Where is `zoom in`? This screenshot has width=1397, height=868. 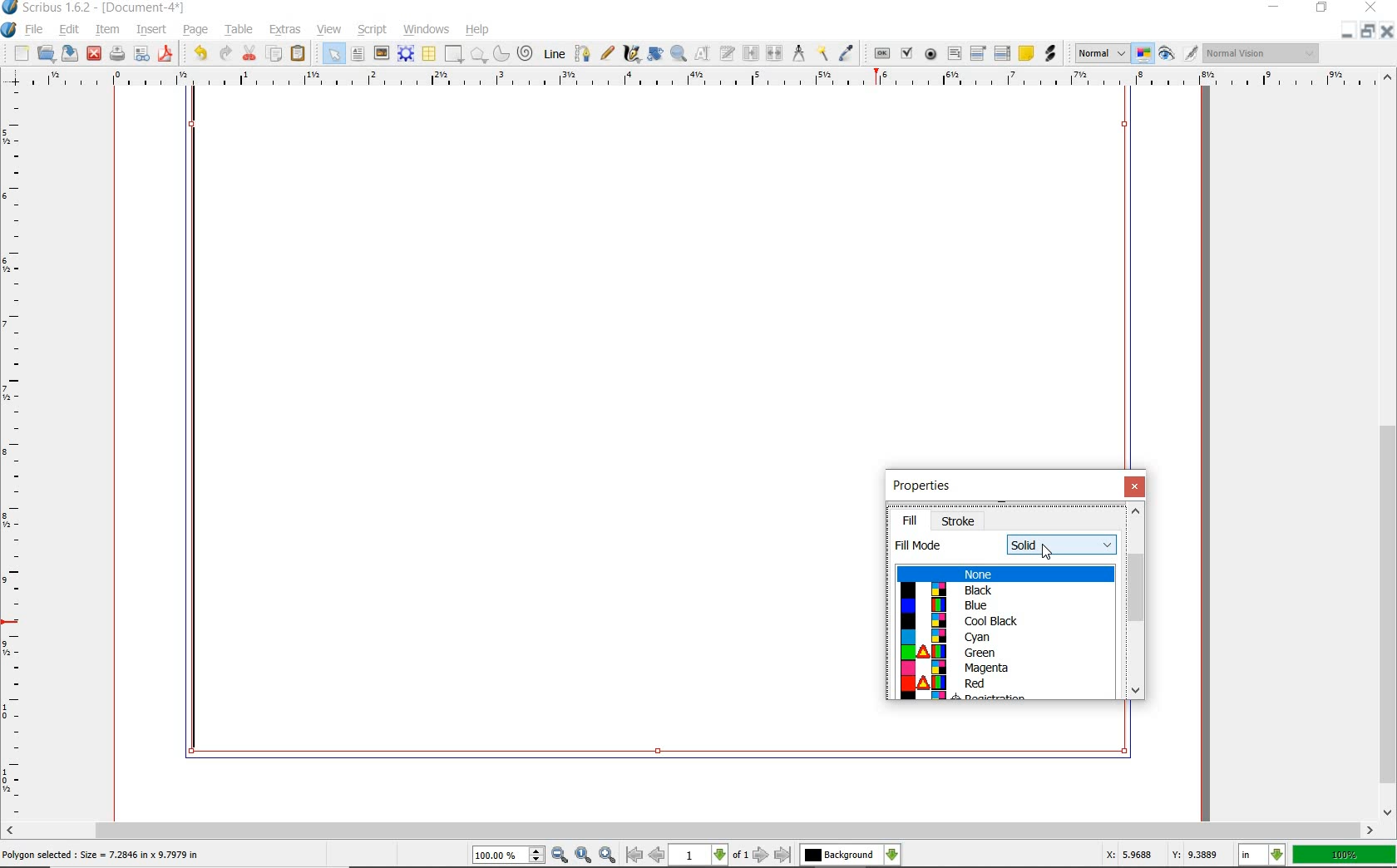
zoom in is located at coordinates (608, 855).